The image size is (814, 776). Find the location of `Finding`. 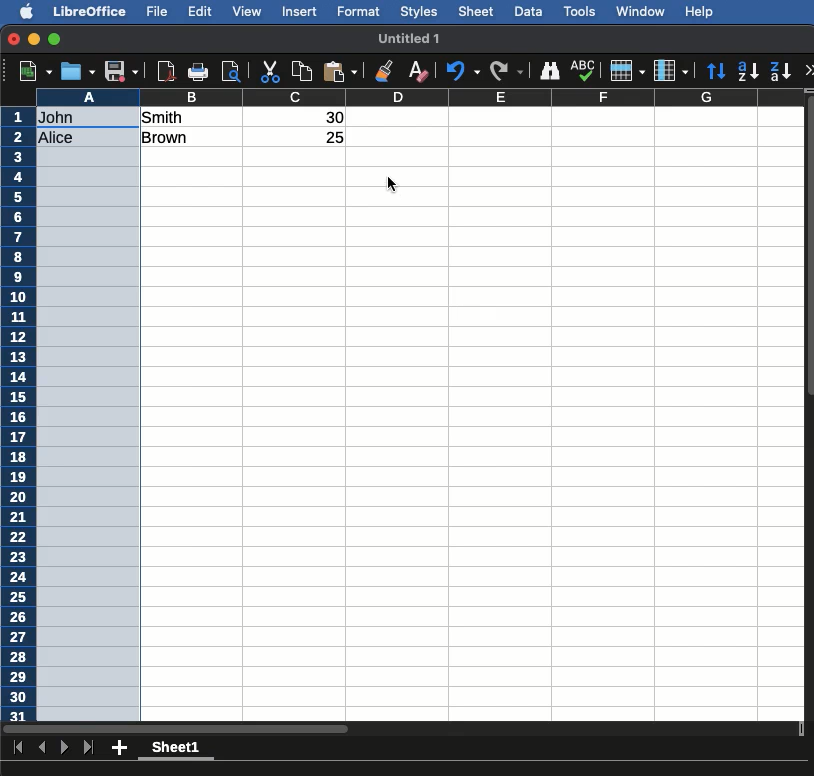

Finding is located at coordinates (550, 70).